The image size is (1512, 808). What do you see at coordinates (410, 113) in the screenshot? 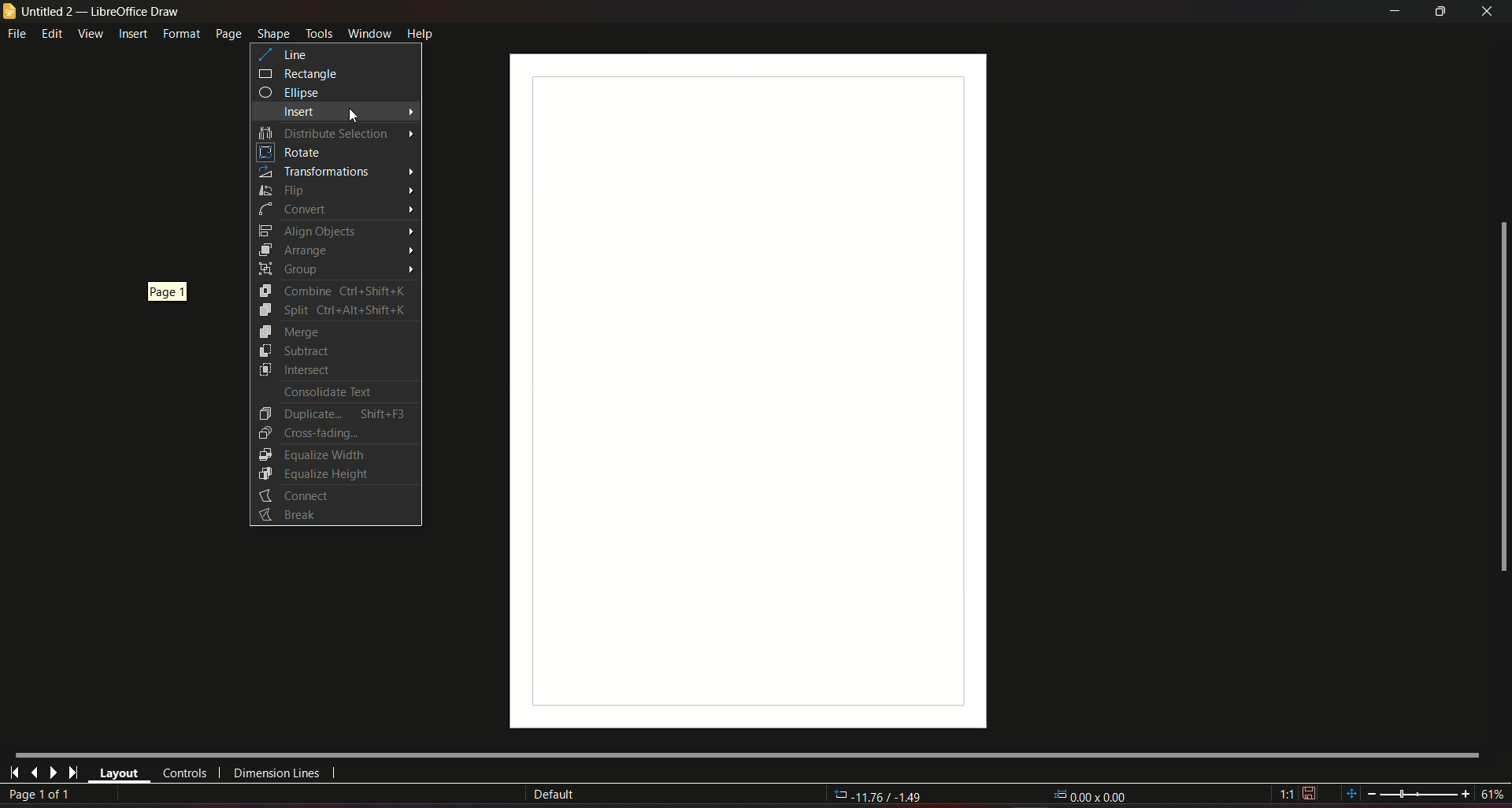
I see `Arrow` at bounding box center [410, 113].